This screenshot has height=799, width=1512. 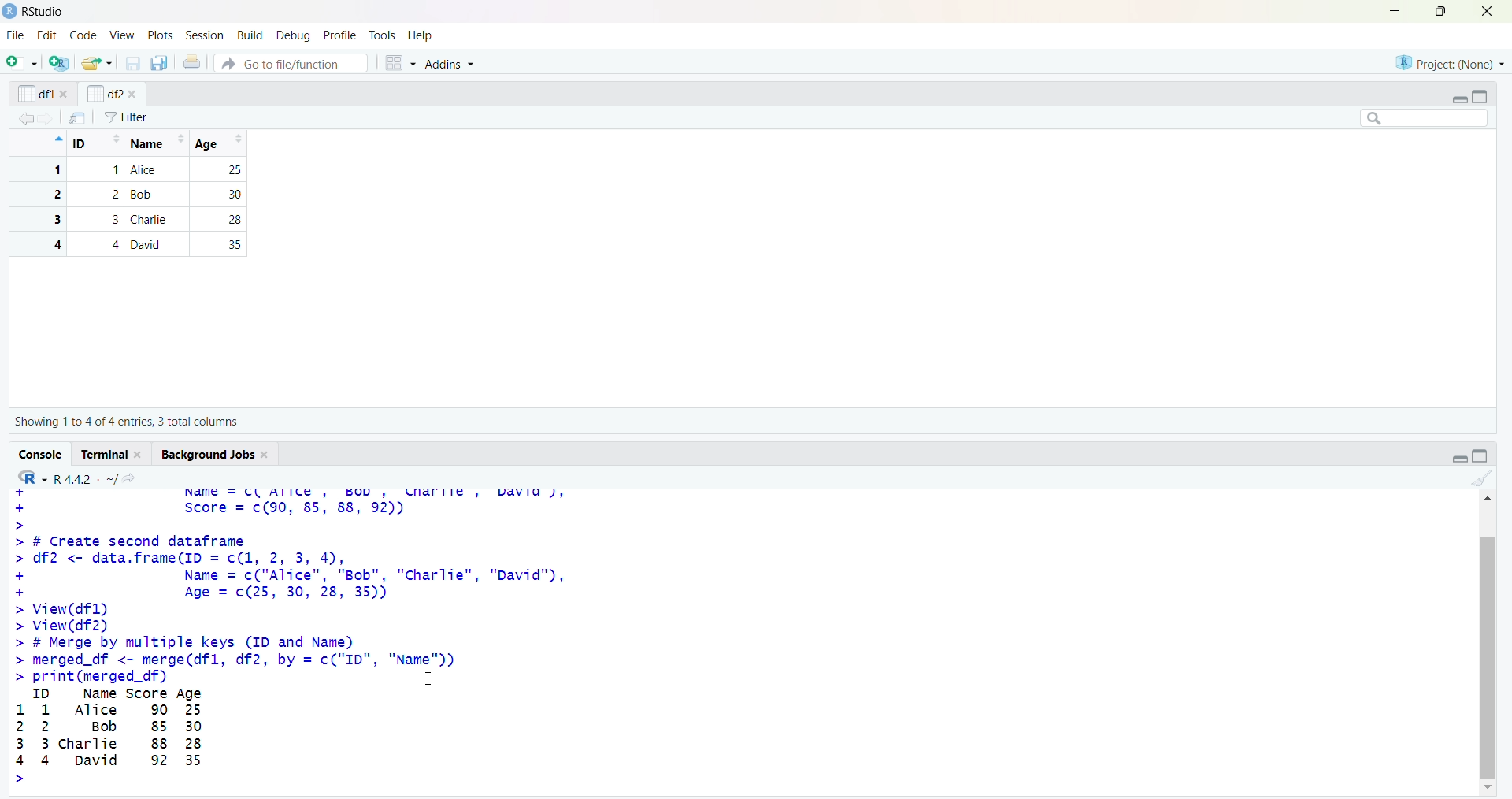 I want to click on age, so click(x=222, y=143).